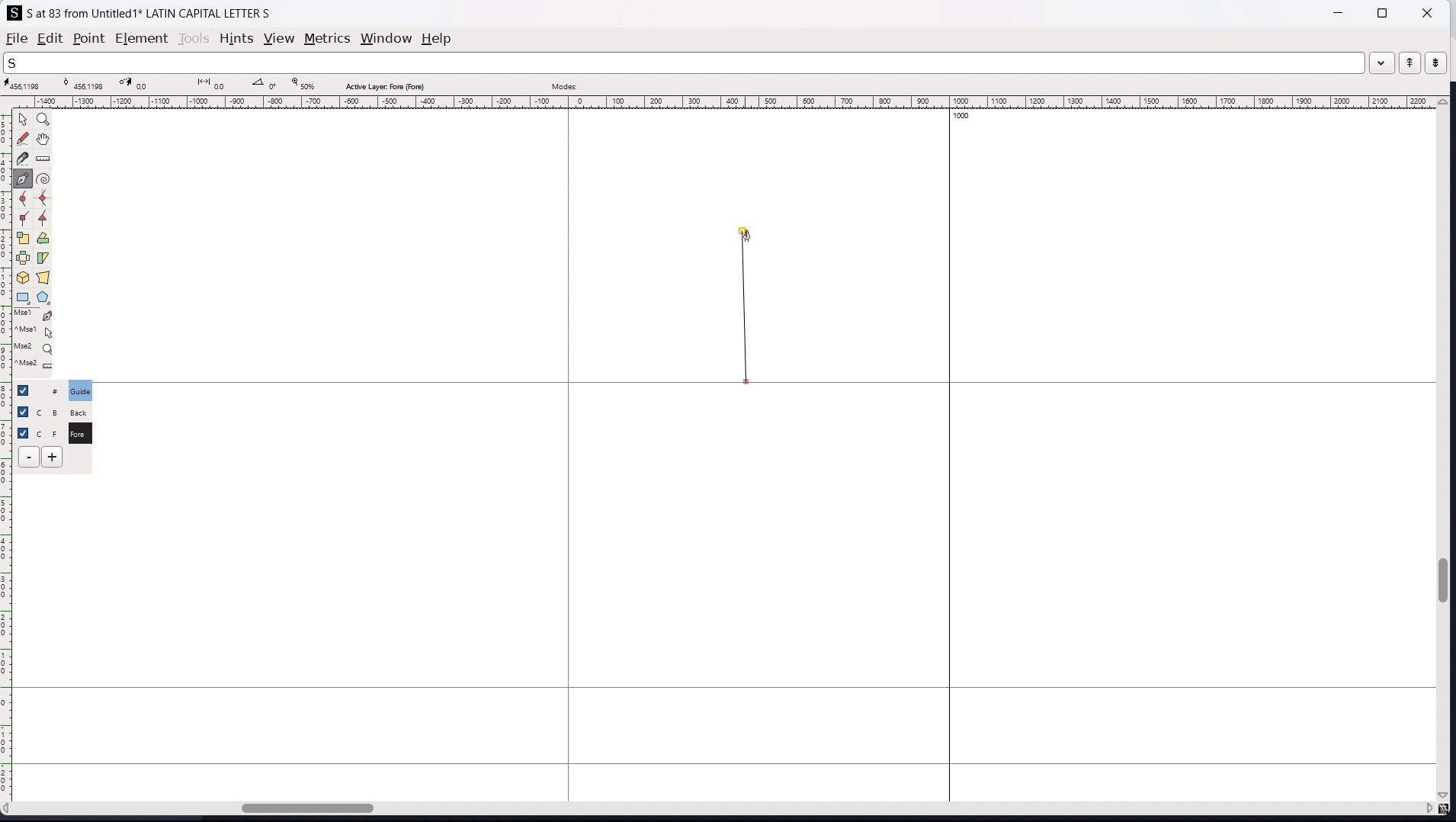  What do you see at coordinates (43, 278) in the screenshot?
I see `perspective transformation` at bounding box center [43, 278].